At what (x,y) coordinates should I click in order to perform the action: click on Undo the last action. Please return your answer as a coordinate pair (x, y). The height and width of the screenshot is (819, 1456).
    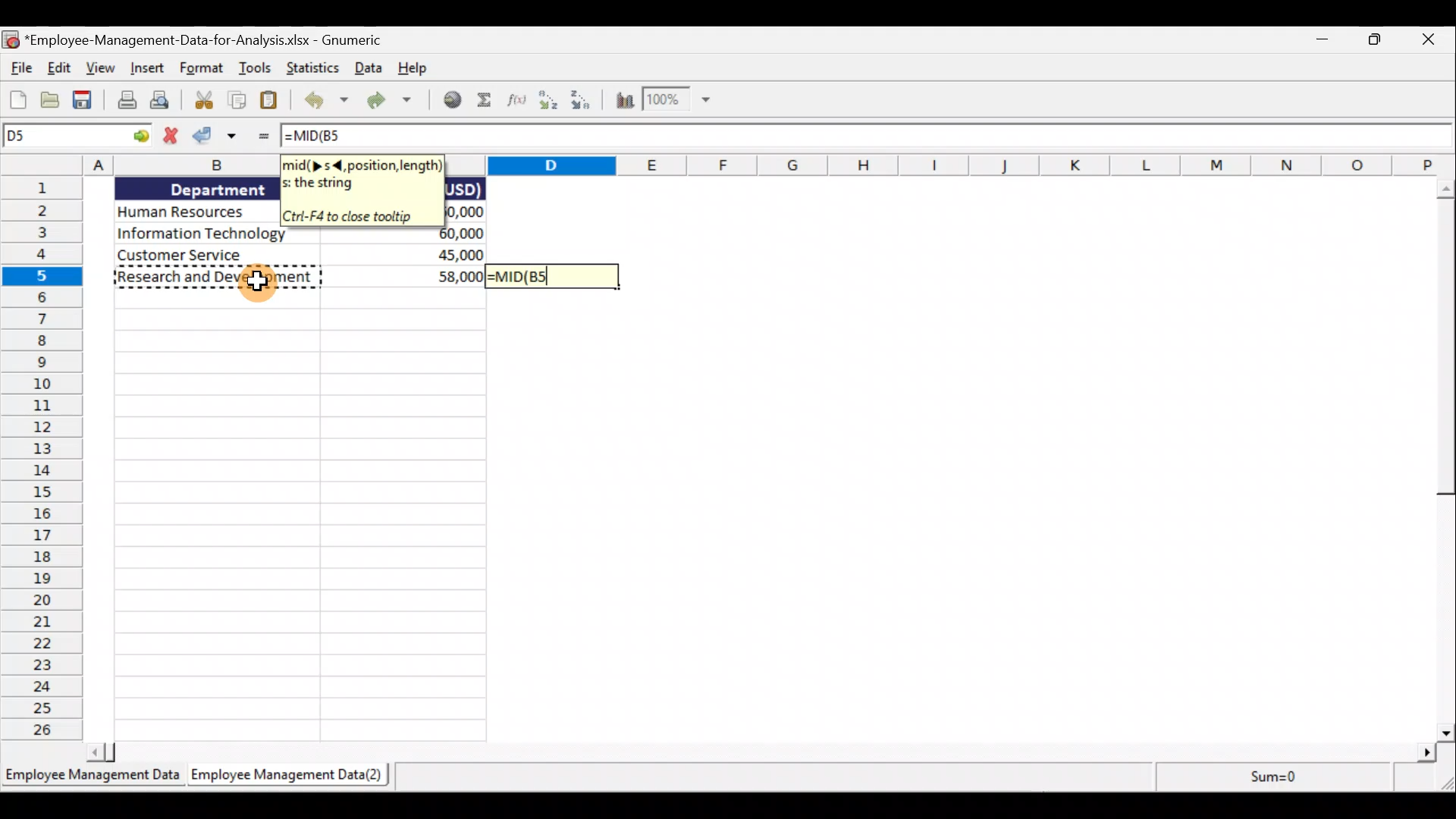
    Looking at the image, I should click on (324, 100).